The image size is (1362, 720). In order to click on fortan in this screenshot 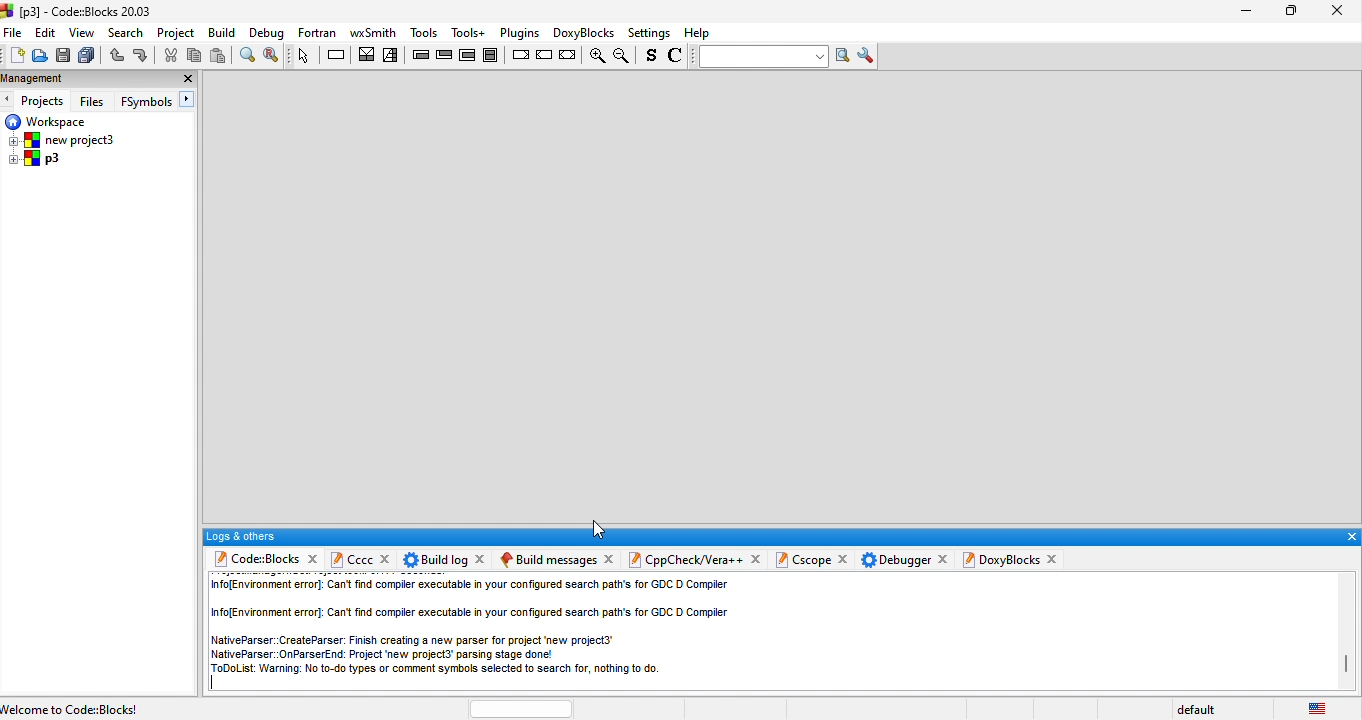, I will do `click(318, 32)`.